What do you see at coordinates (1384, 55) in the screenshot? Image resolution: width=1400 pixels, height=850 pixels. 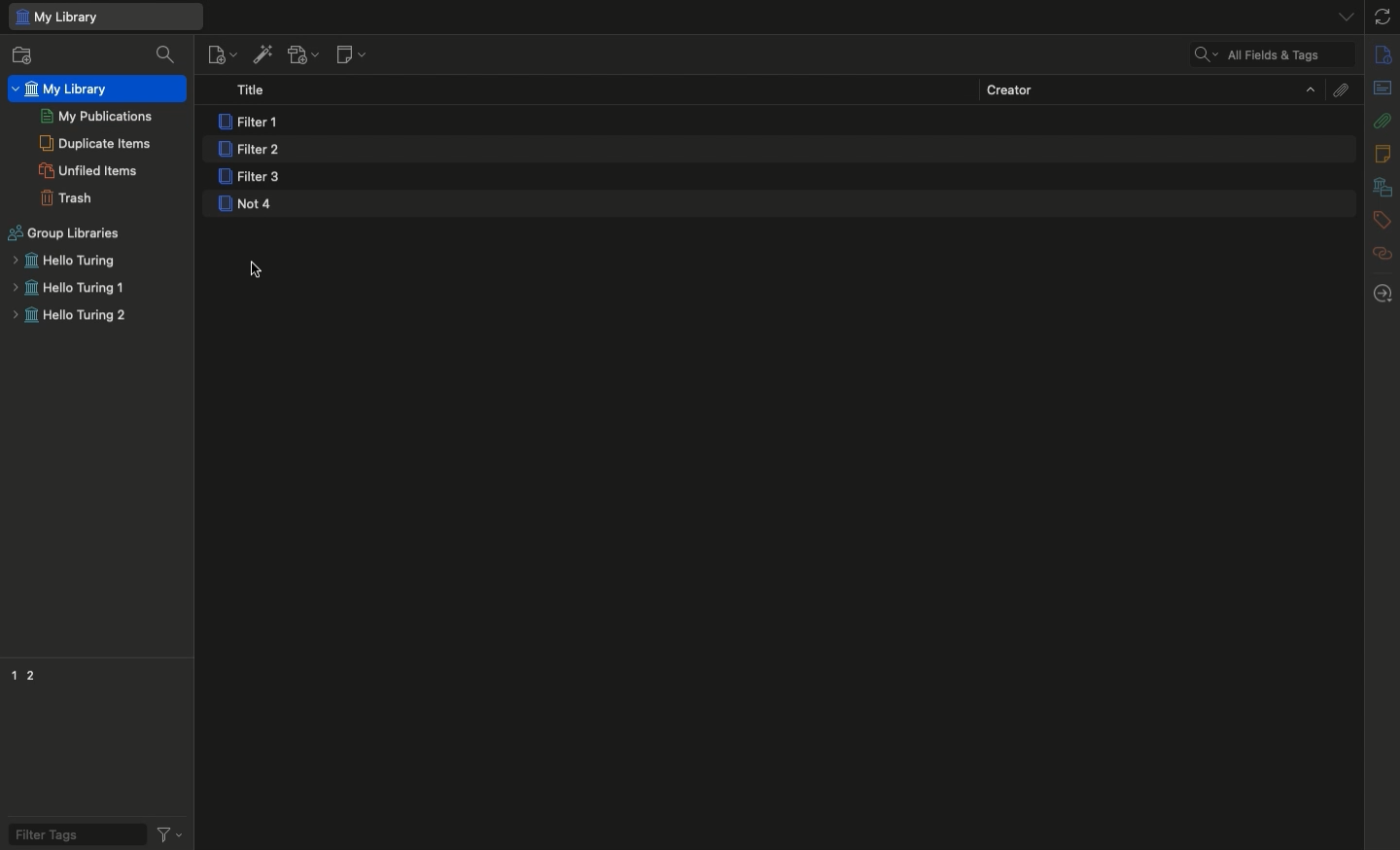 I see `Info` at bounding box center [1384, 55].